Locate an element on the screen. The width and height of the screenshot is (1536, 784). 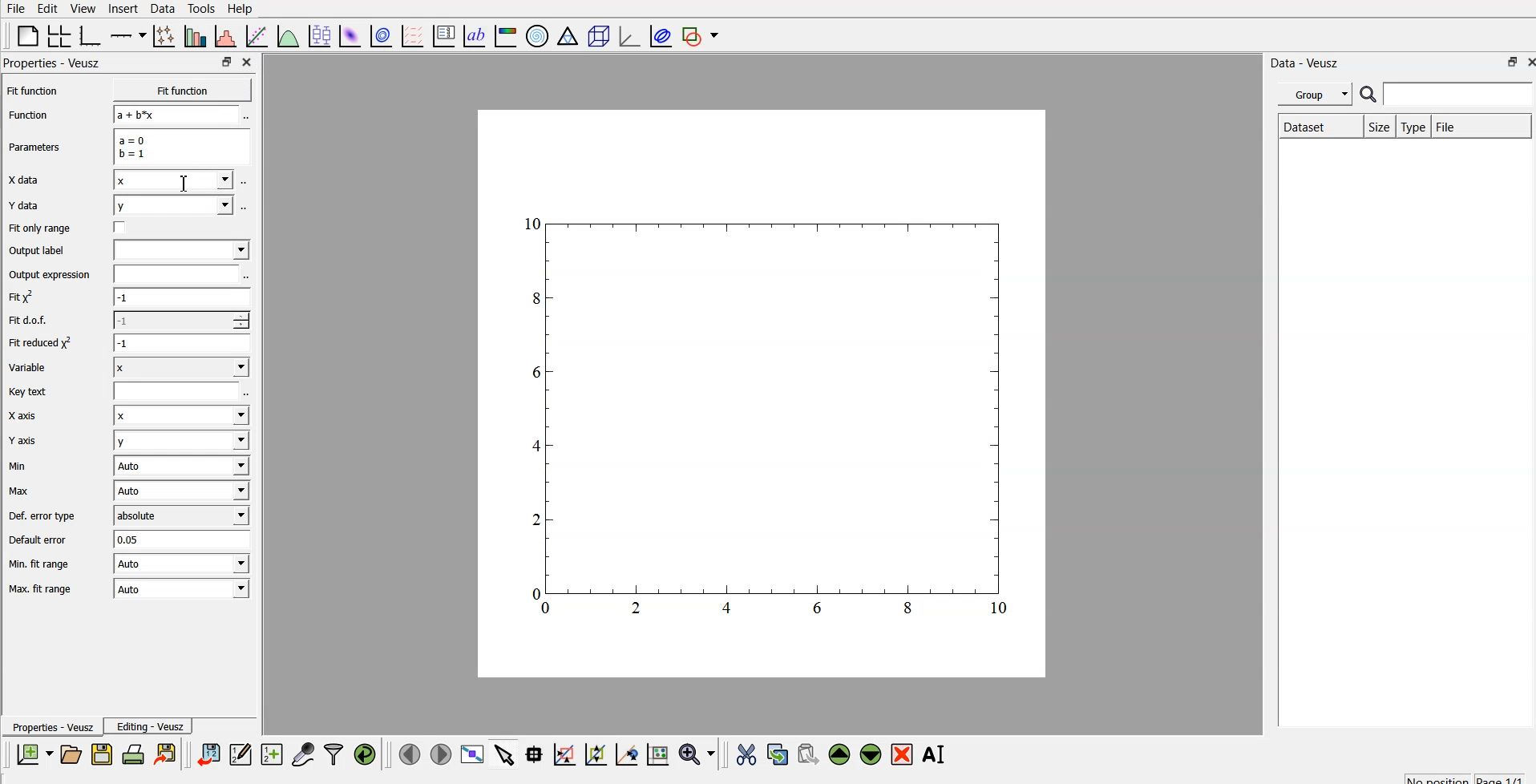
plot box plots is located at coordinates (320, 37).